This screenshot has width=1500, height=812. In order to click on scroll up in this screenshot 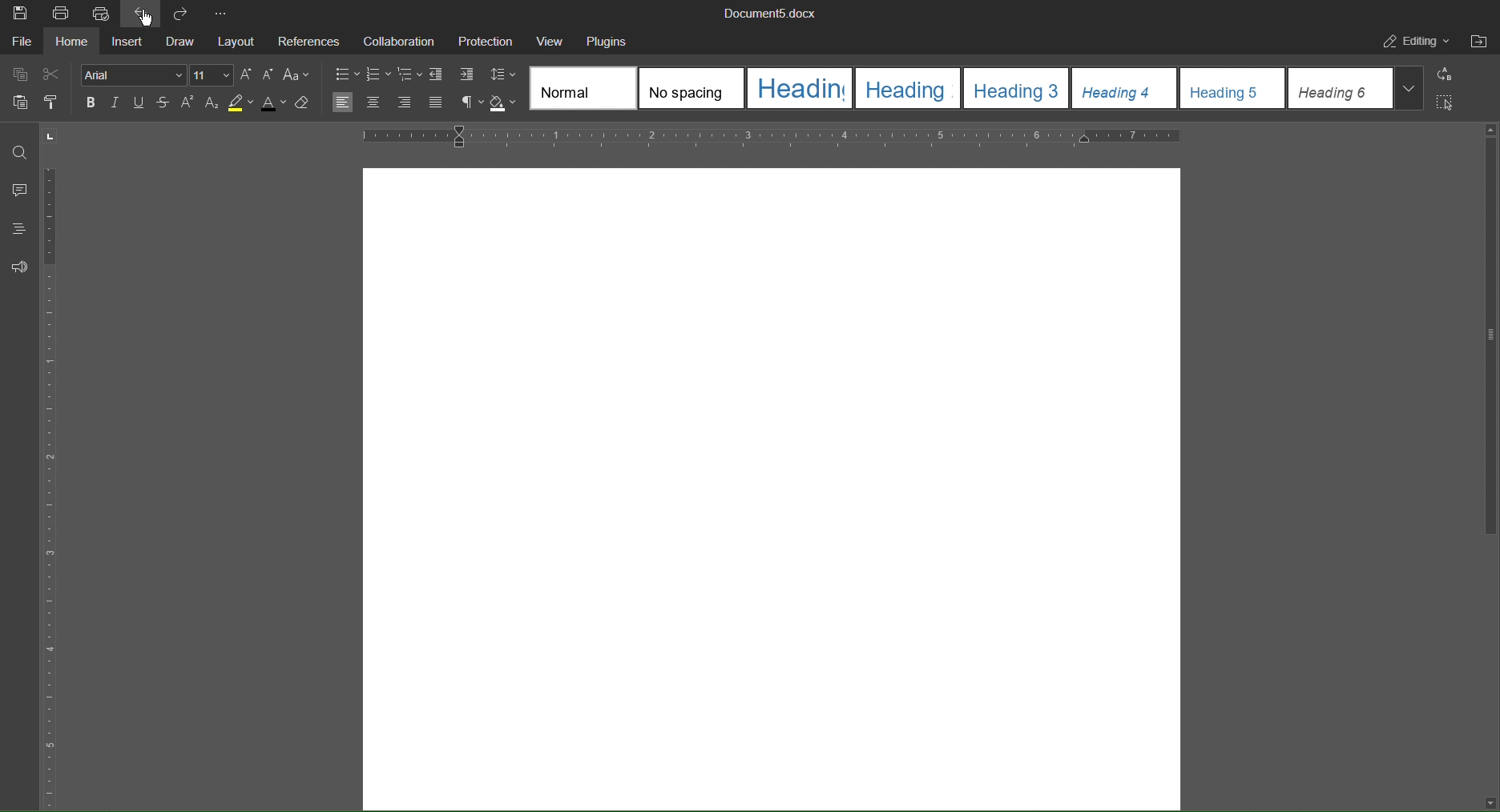, I will do `click(1492, 130)`.